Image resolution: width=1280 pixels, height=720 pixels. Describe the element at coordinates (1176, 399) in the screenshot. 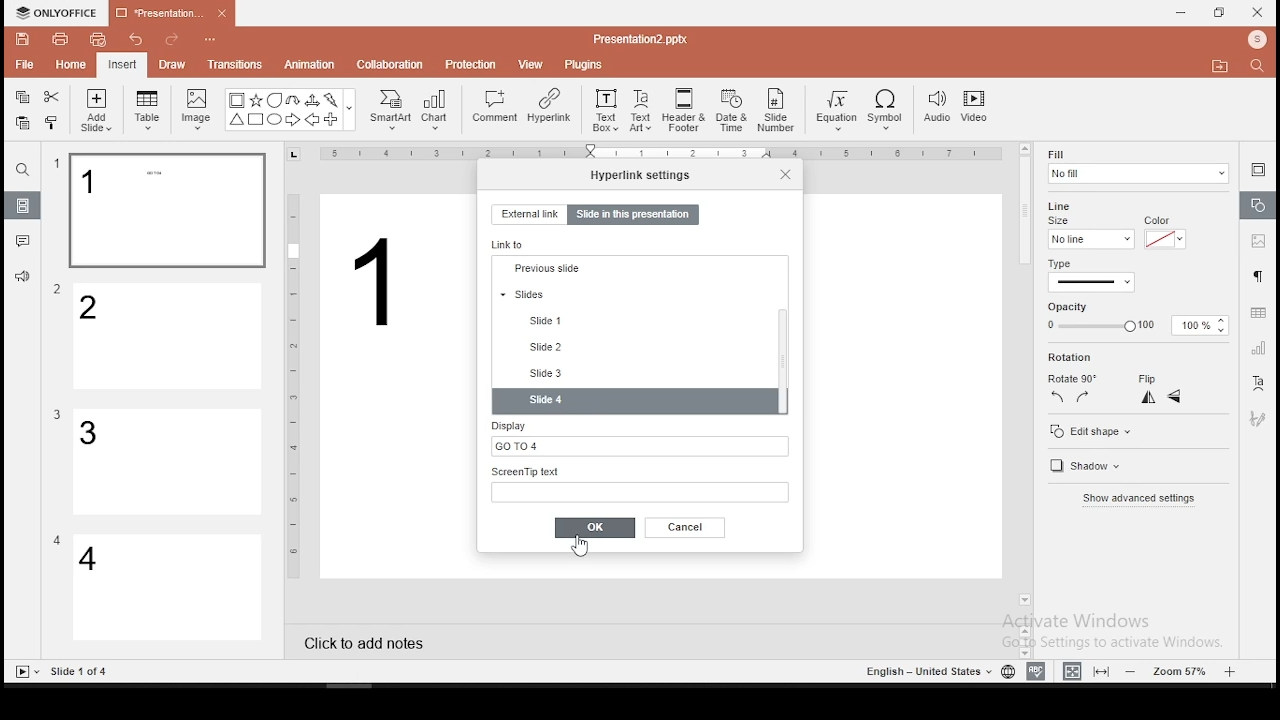

I see `flip vertical` at that location.